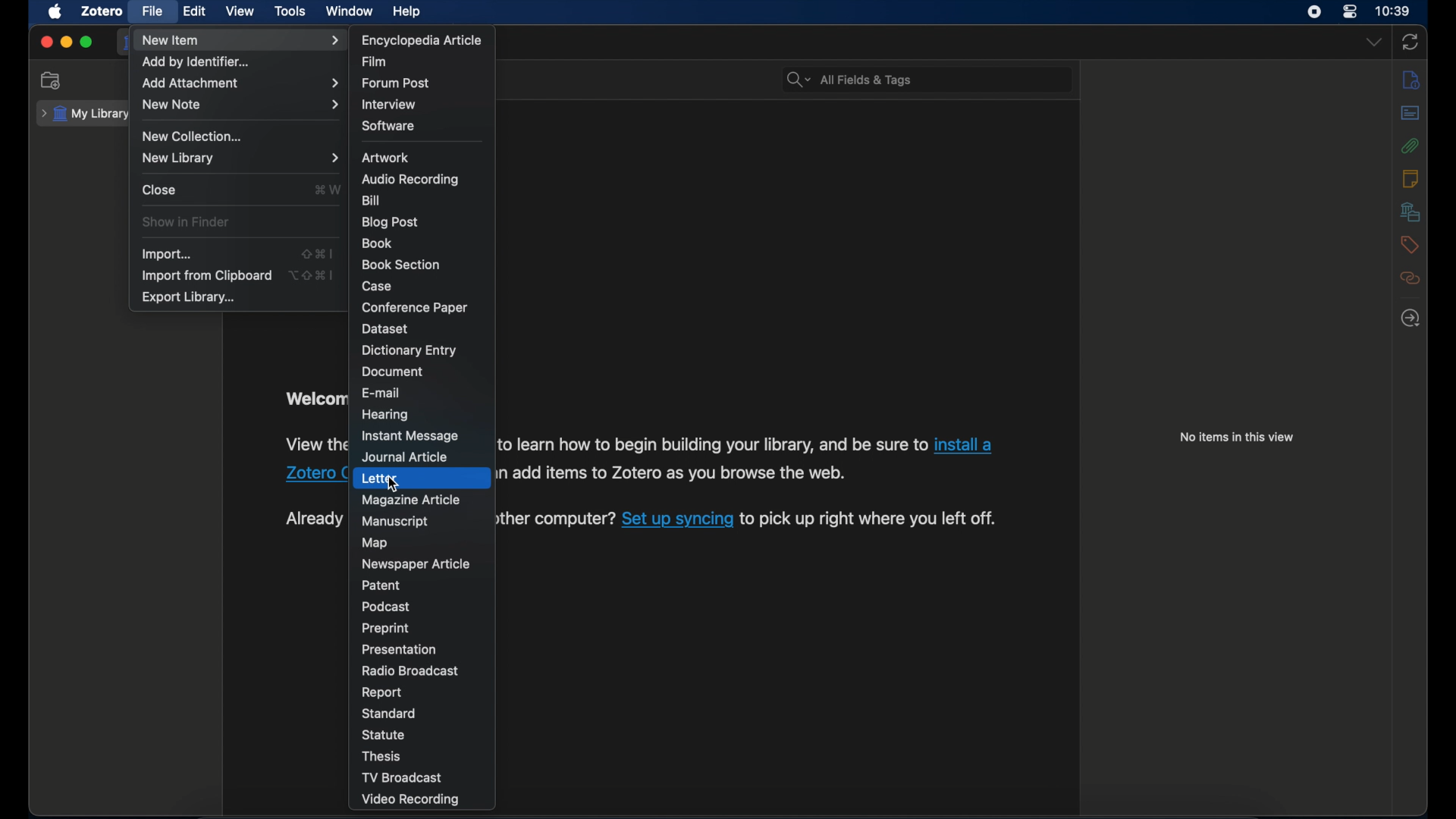 The width and height of the screenshot is (1456, 819). What do you see at coordinates (416, 564) in the screenshot?
I see `newspaper article` at bounding box center [416, 564].